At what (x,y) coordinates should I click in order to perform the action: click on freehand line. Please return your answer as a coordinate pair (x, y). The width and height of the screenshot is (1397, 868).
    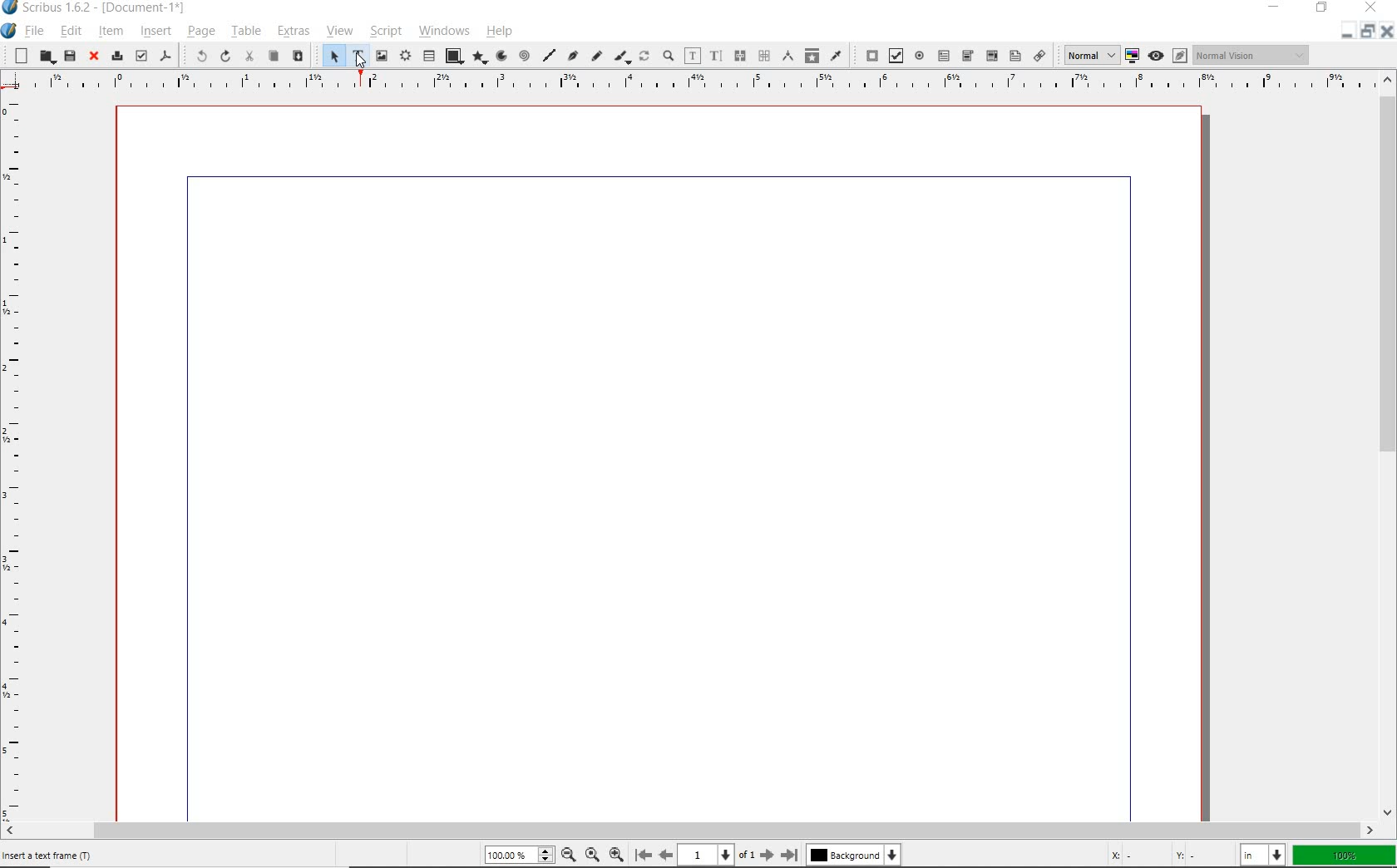
    Looking at the image, I should click on (597, 57).